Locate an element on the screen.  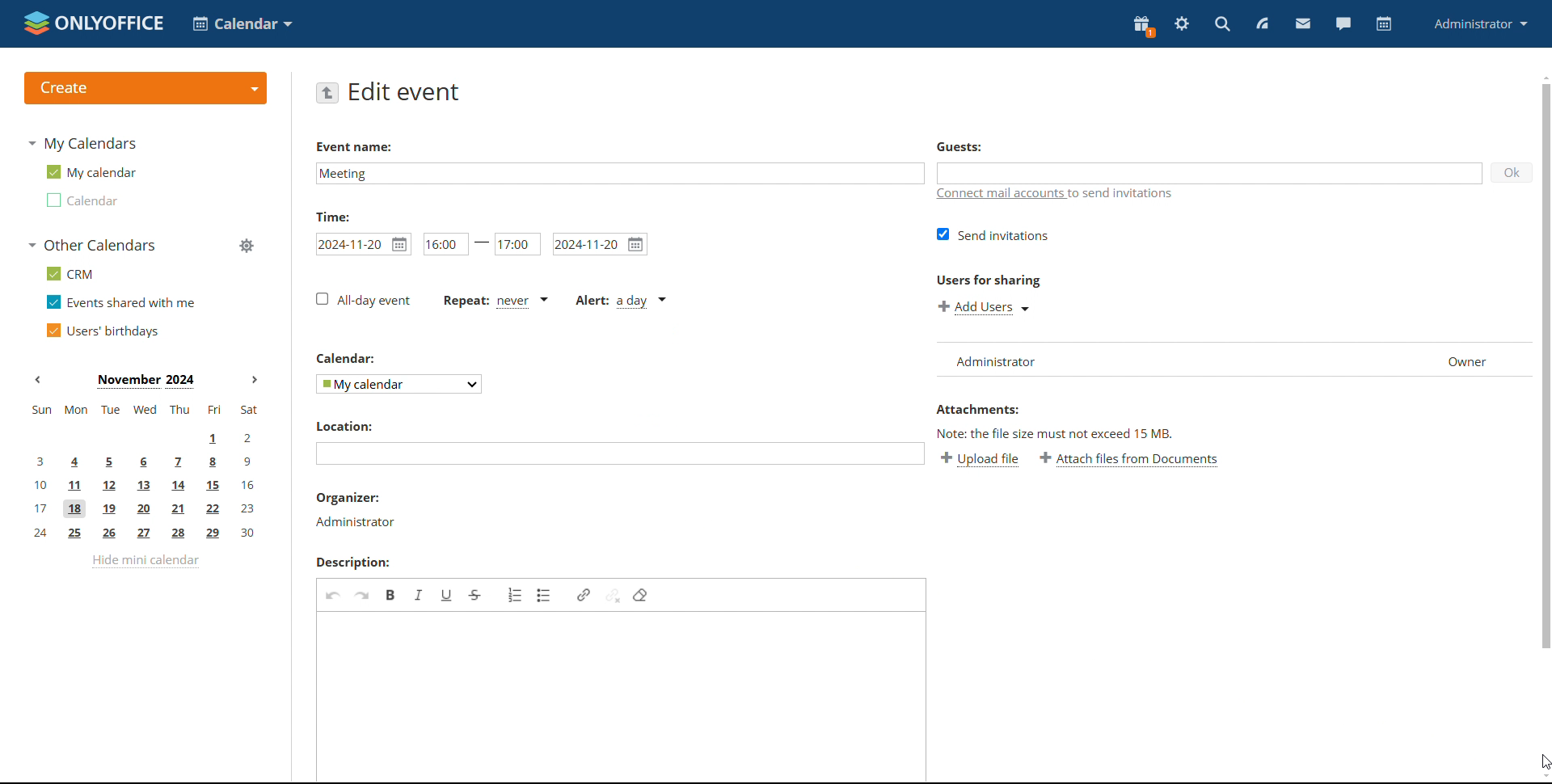
attachments is located at coordinates (976, 410).